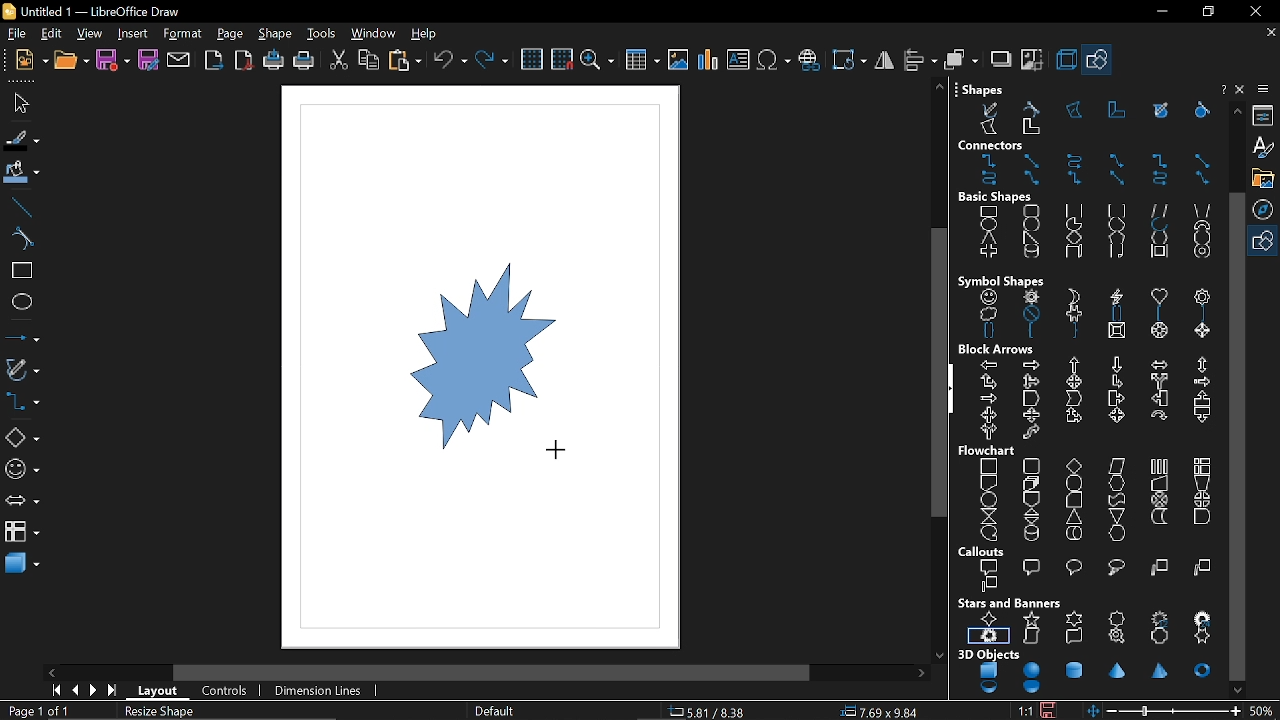  I want to click on Close, so click(1221, 89).